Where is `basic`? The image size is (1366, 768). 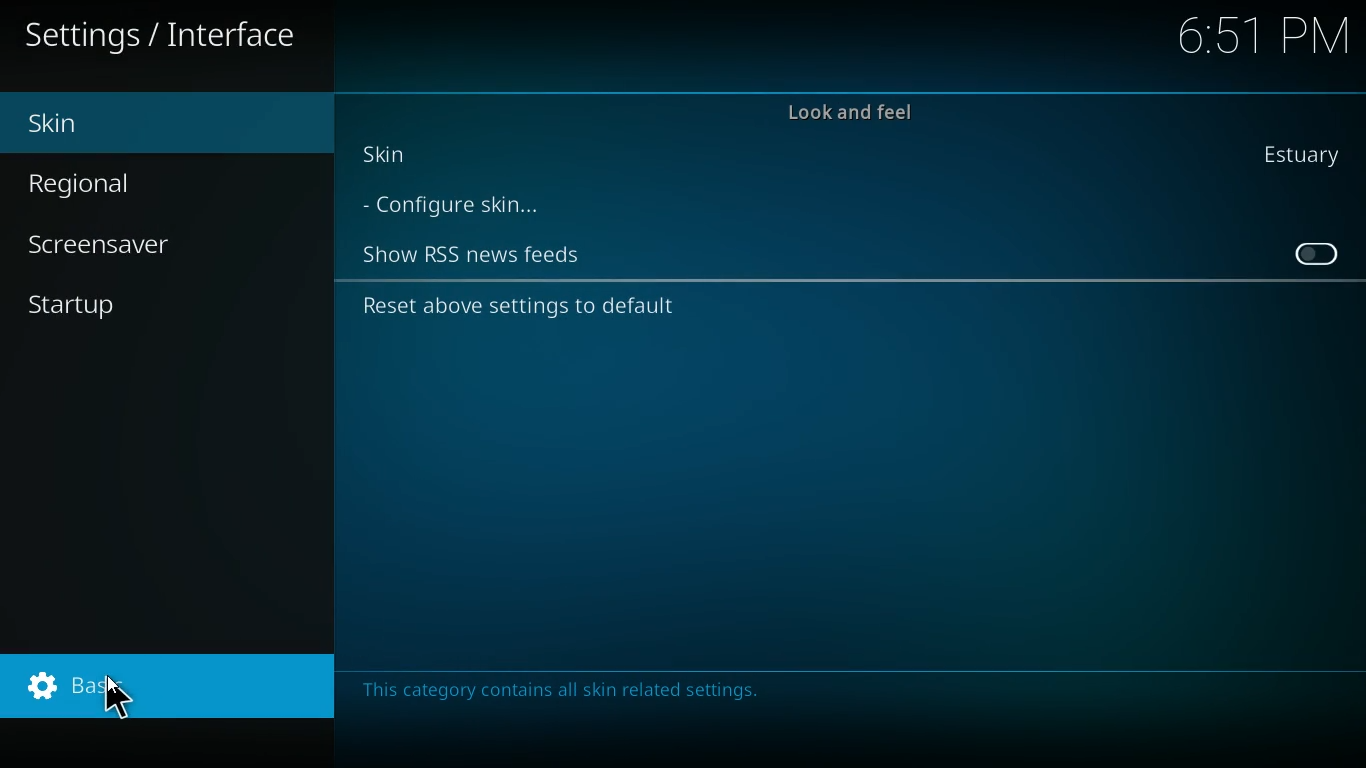 basic is located at coordinates (169, 686).